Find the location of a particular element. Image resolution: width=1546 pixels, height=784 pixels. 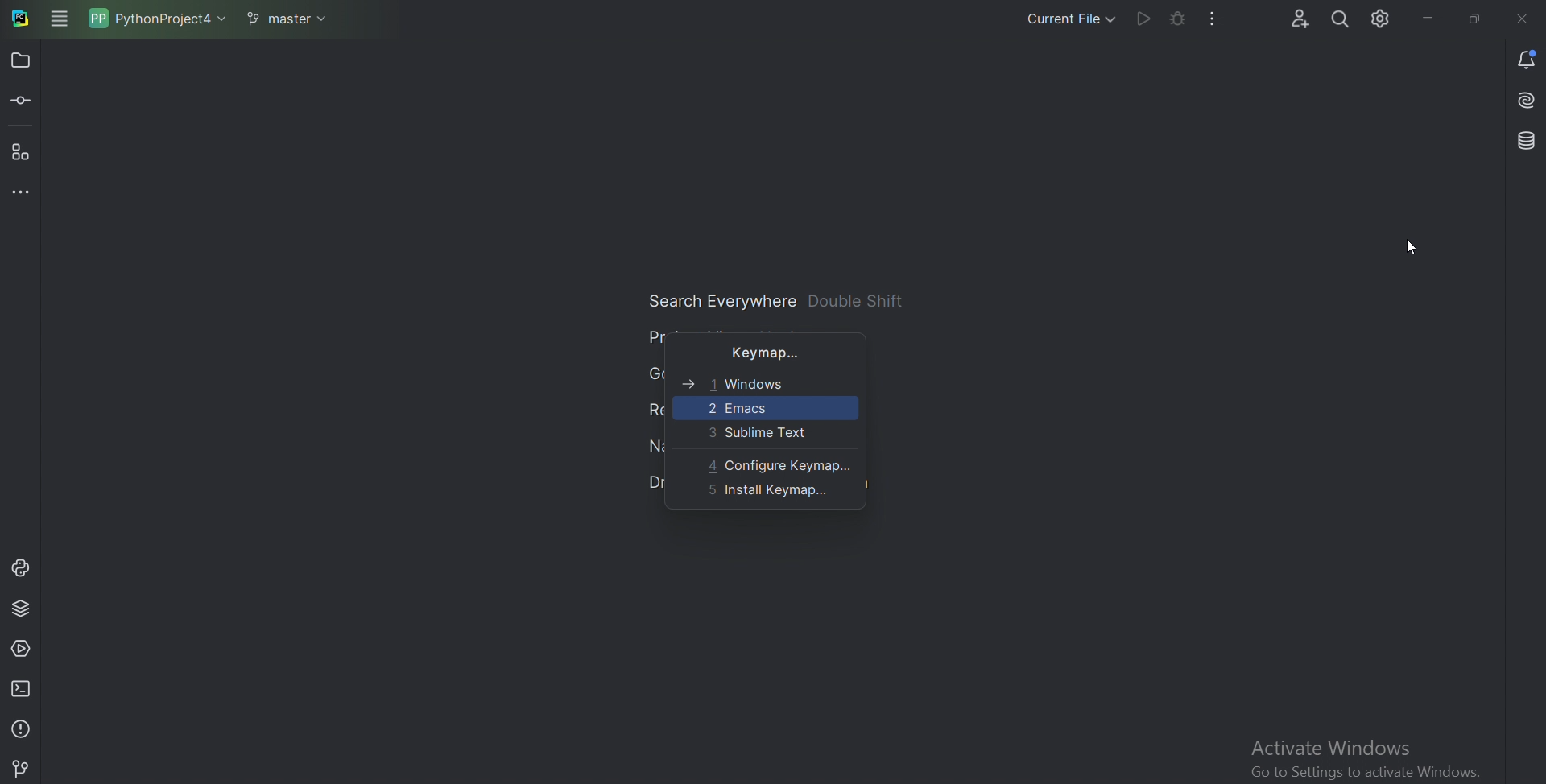

Services is located at coordinates (26, 646).